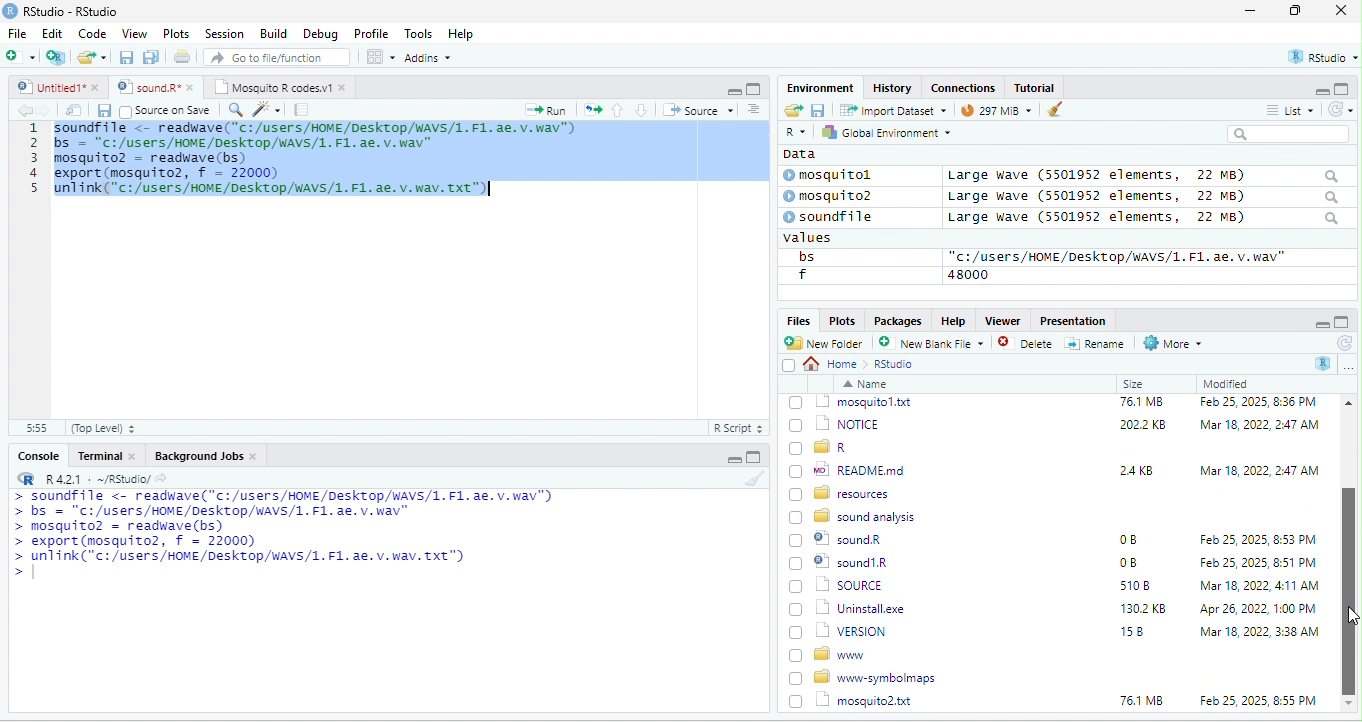 This screenshot has height=722, width=1362. What do you see at coordinates (1261, 431) in the screenshot?
I see `Feb 25, 2025, 12:45 PM` at bounding box center [1261, 431].